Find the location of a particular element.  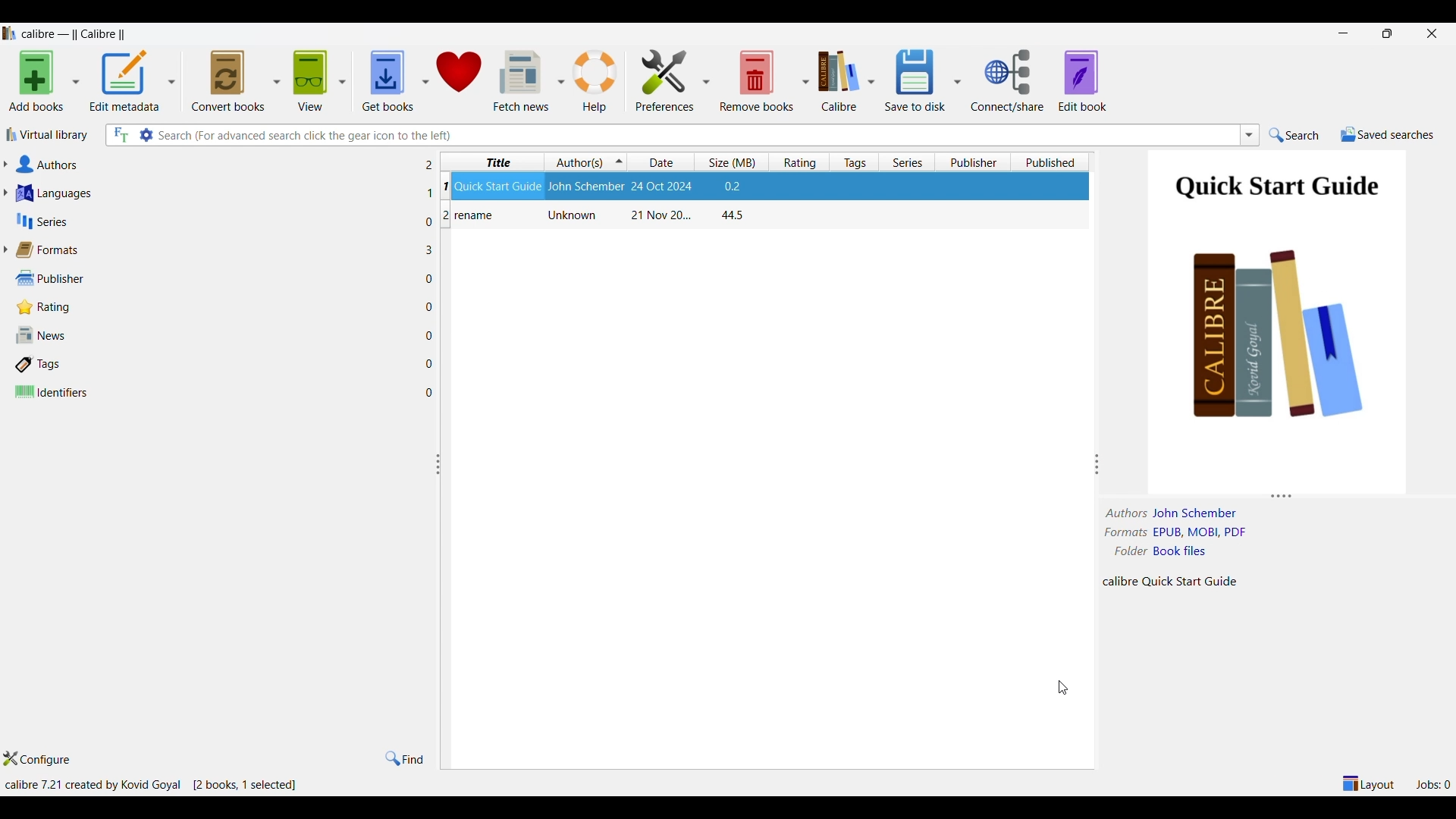

Series column is located at coordinates (907, 162).